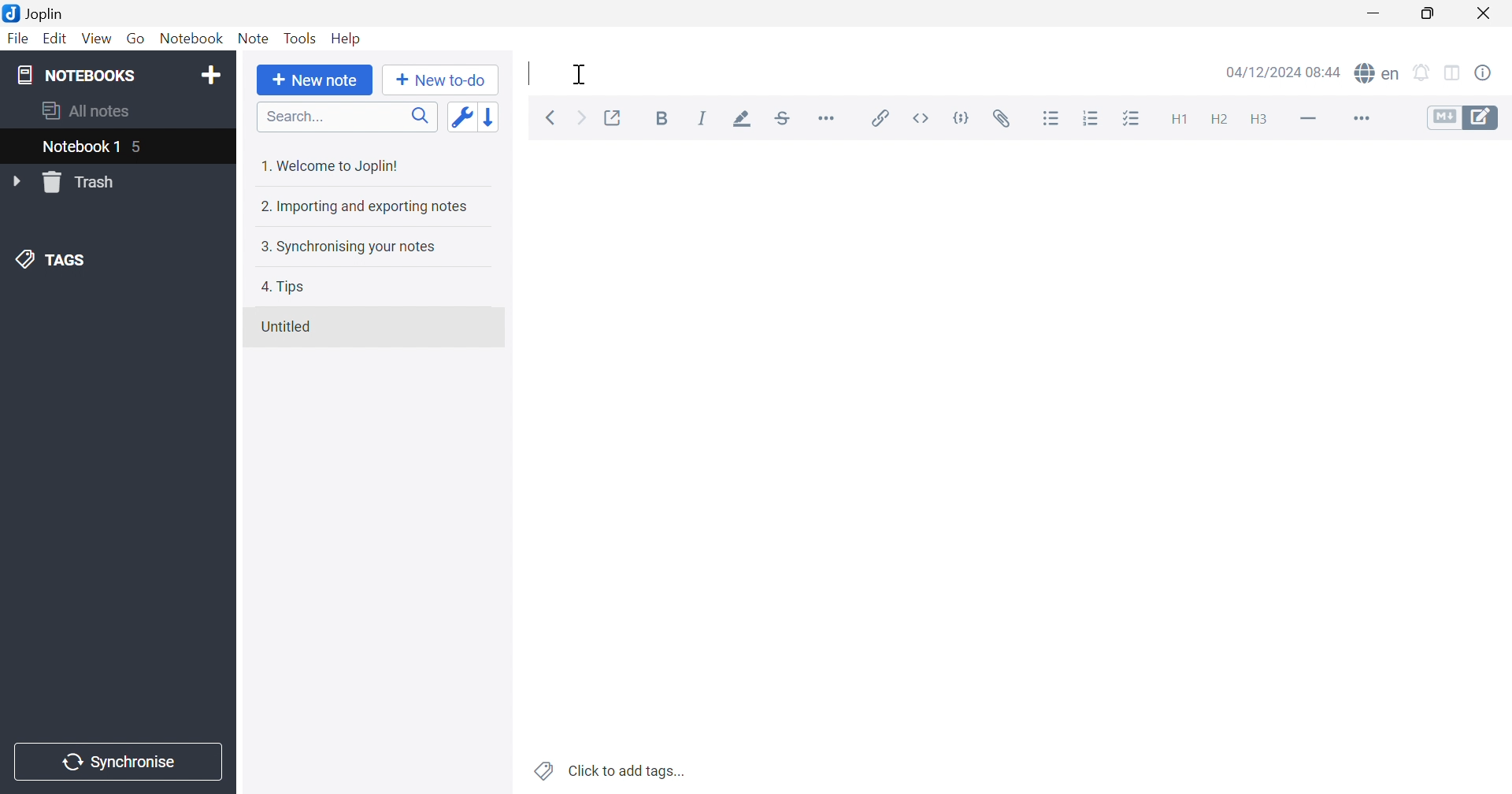 Image resolution: width=1512 pixels, height=794 pixels. What do you see at coordinates (1431, 14) in the screenshot?
I see `Restore Down` at bounding box center [1431, 14].